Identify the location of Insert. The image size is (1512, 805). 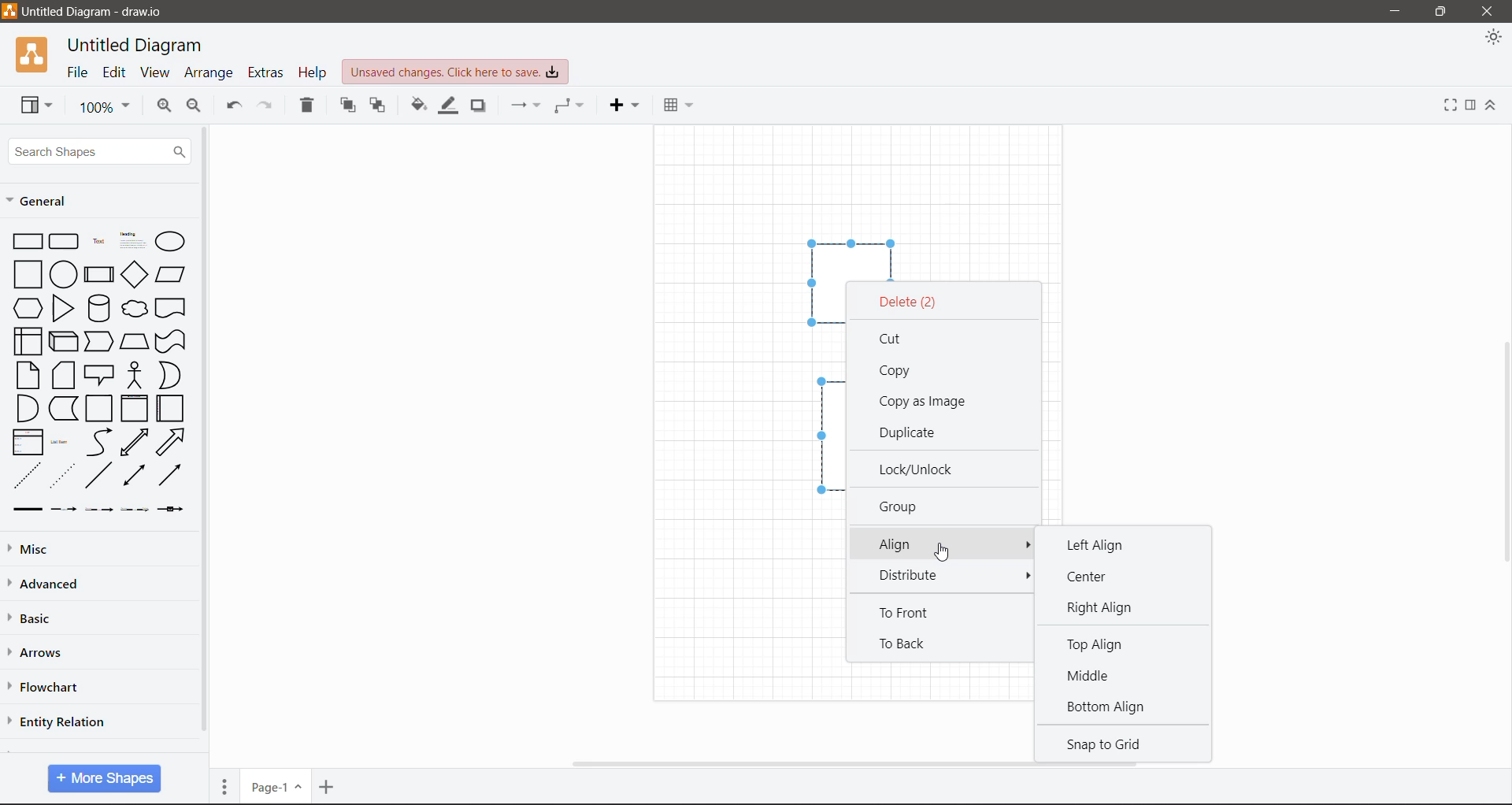
(624, 106).